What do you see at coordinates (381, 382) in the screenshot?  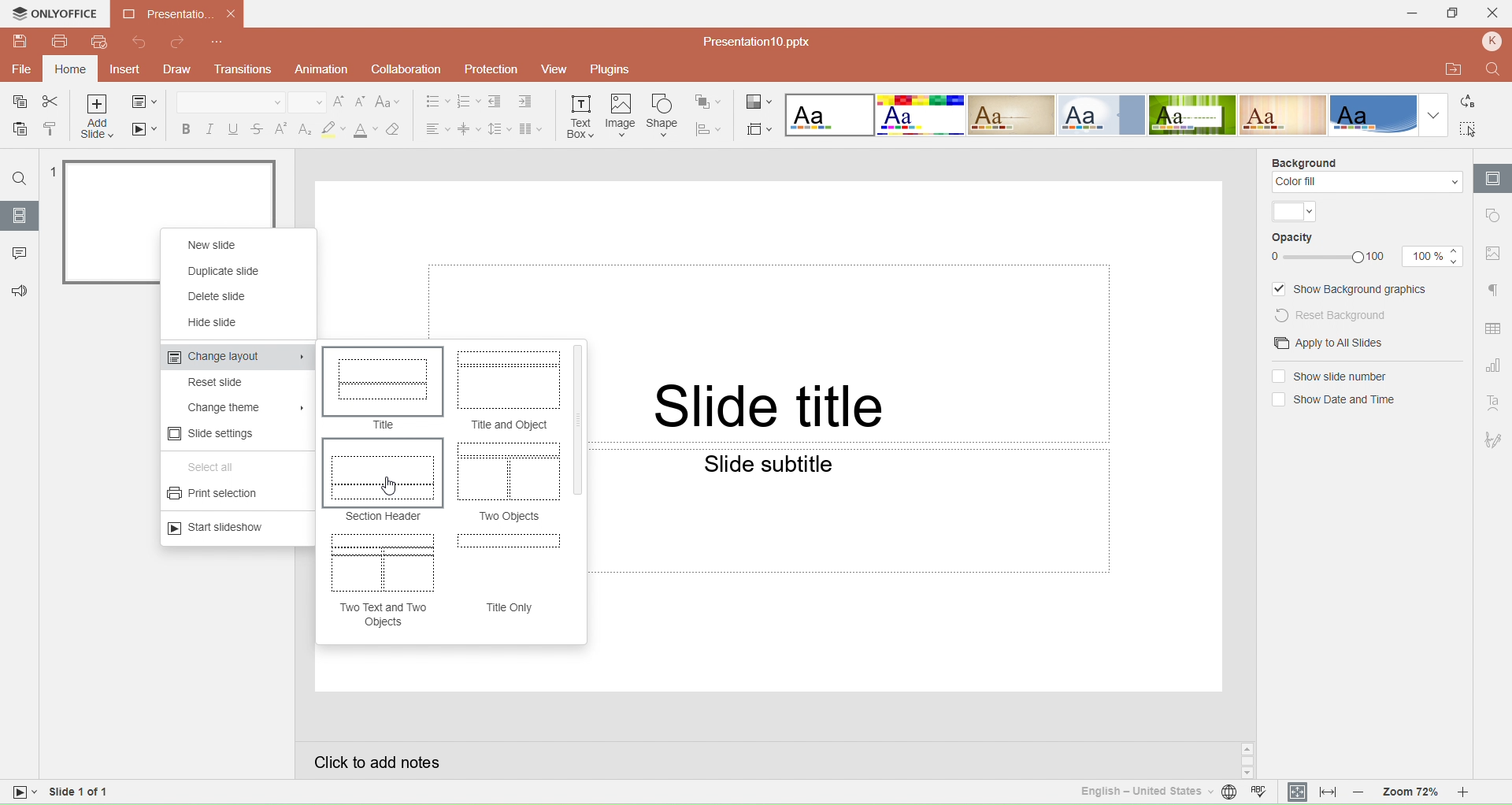 I see `Title Preview layout` at bounding box center [381, 382].